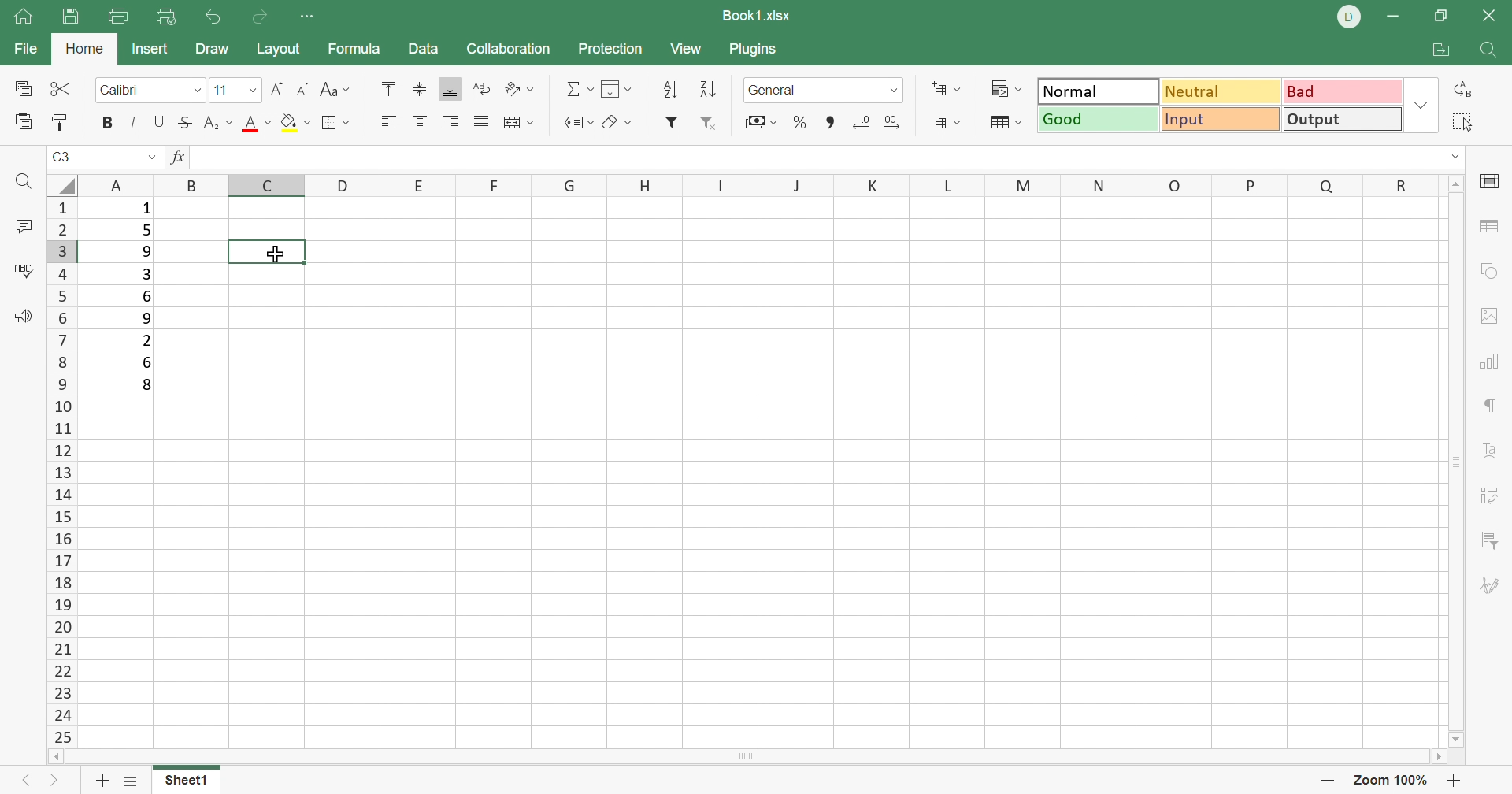 The width and height of the screenshot is (1512, 794). What do you see at coordinates (305, 90) in the screenshot?
I see `Decrement font size` at bounding box center [305, 90].